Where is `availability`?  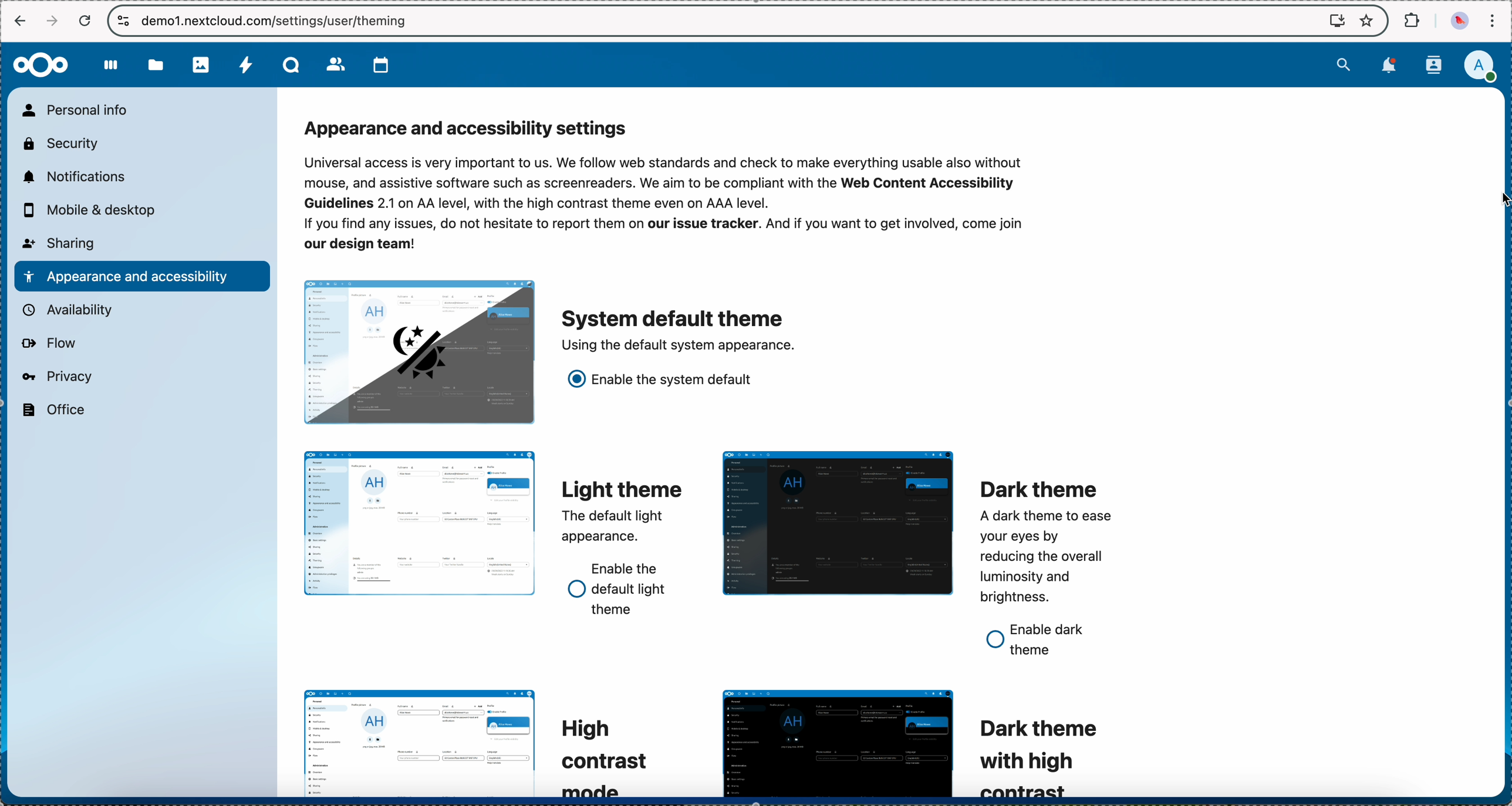 availability is located at coordinates (70, 309).